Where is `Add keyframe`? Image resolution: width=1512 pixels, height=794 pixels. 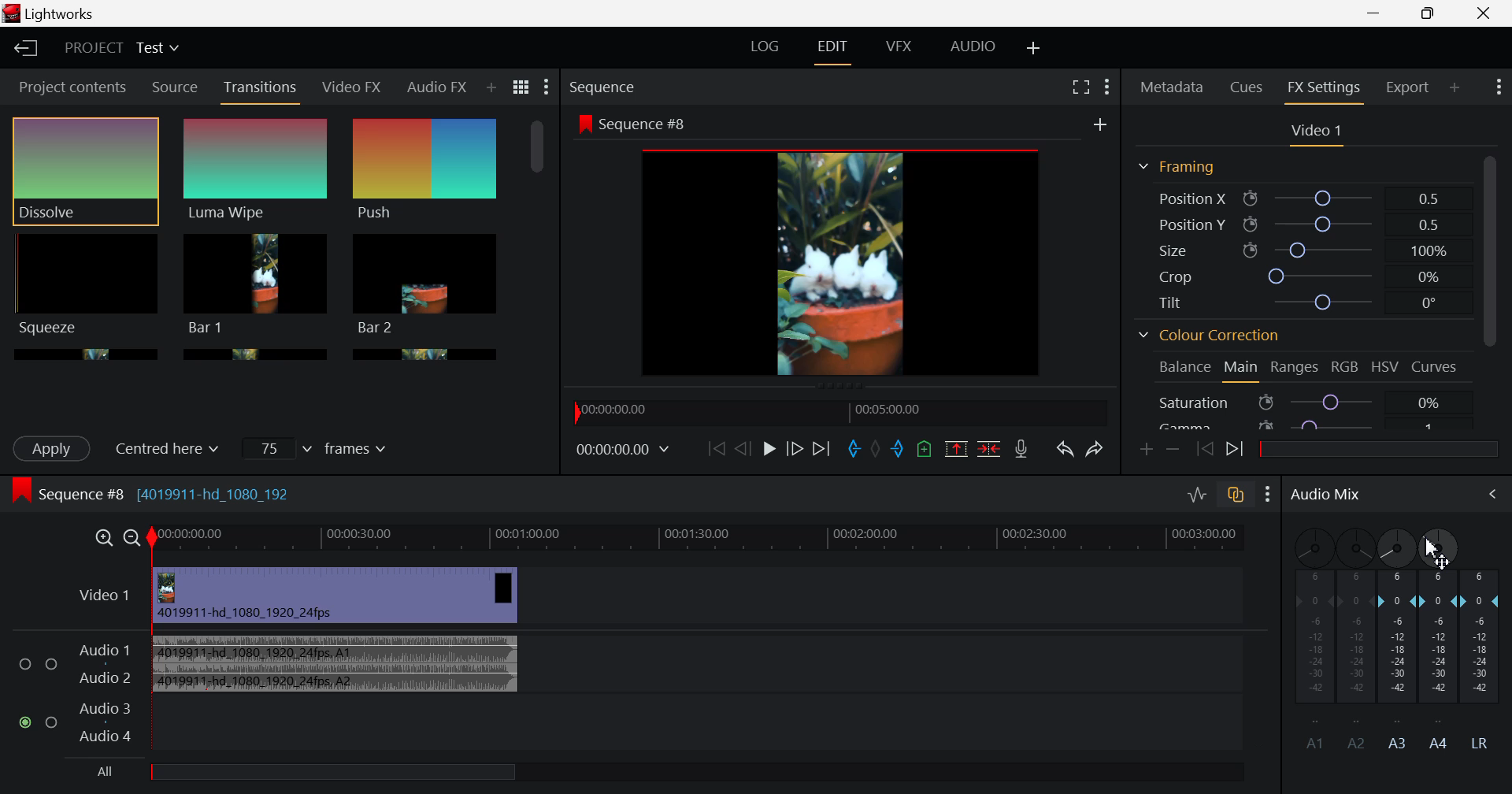
Add keyframe is located at coordinates (1143, 451).